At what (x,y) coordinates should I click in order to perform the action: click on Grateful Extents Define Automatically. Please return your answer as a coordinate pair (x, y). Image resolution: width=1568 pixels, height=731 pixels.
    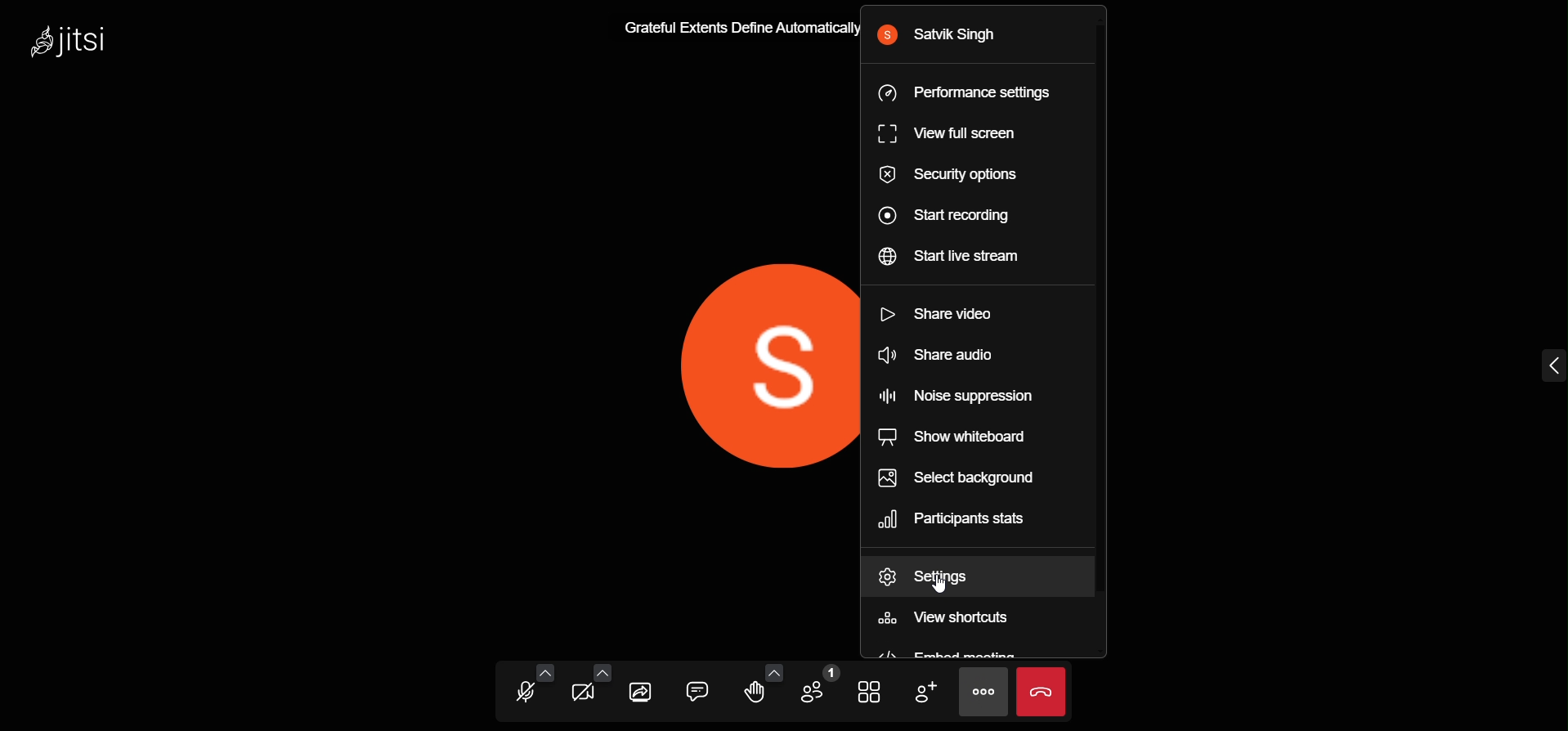
    Looking at the image, I should click on (732, 29).